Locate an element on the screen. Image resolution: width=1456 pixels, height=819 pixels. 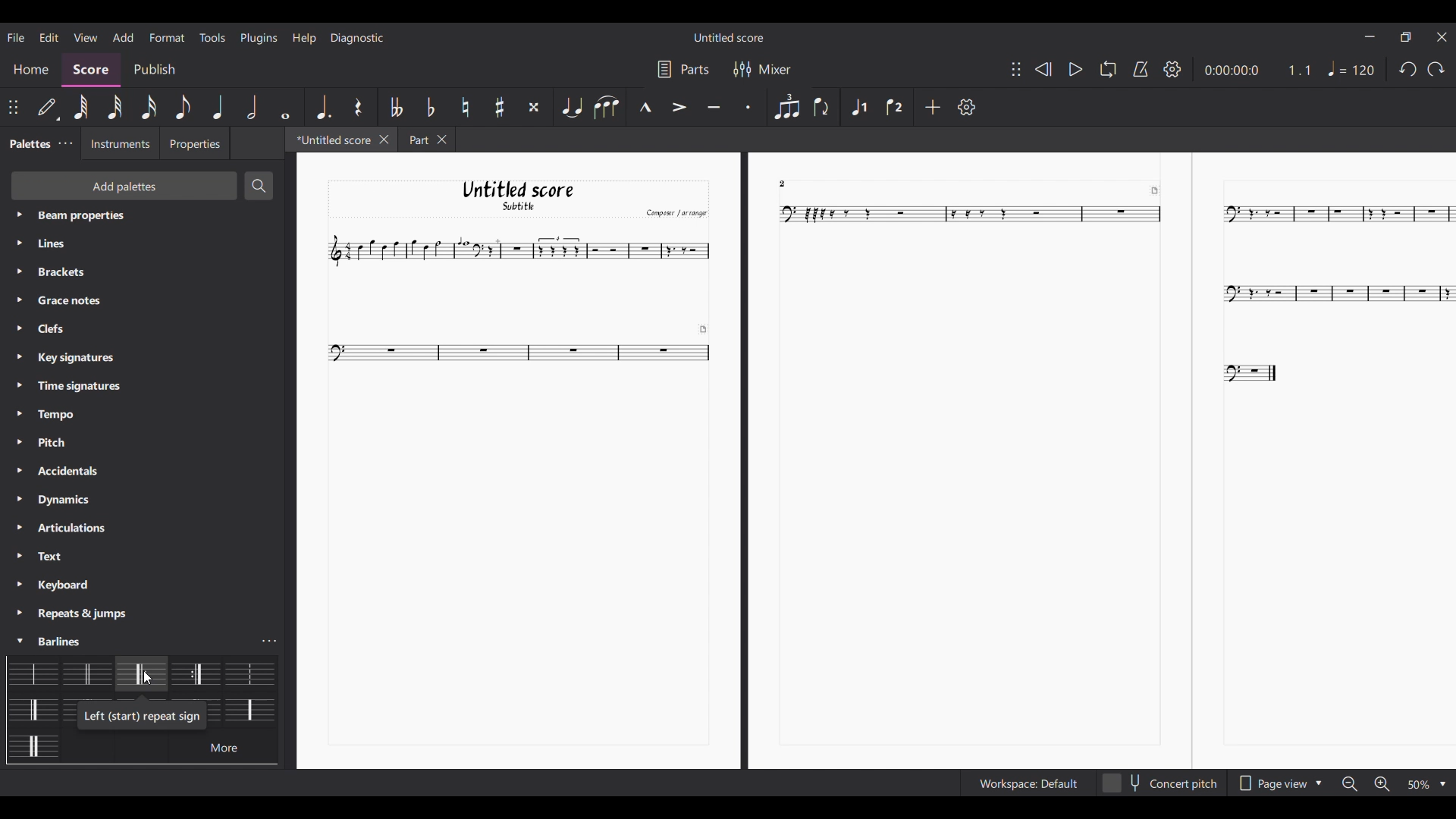
Barline options is located at coordinates (195, 672).